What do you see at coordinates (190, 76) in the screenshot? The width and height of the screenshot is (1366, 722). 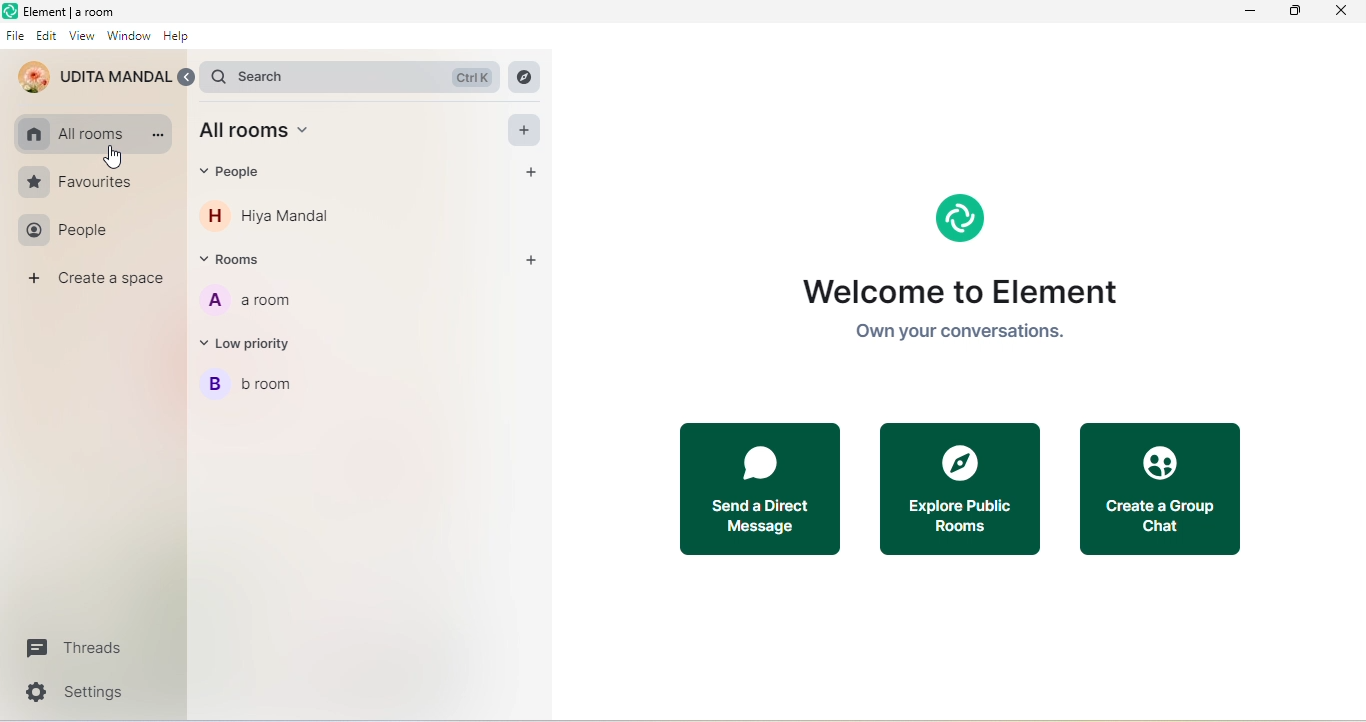 I see `Back ` at bounding box center [190, 76].